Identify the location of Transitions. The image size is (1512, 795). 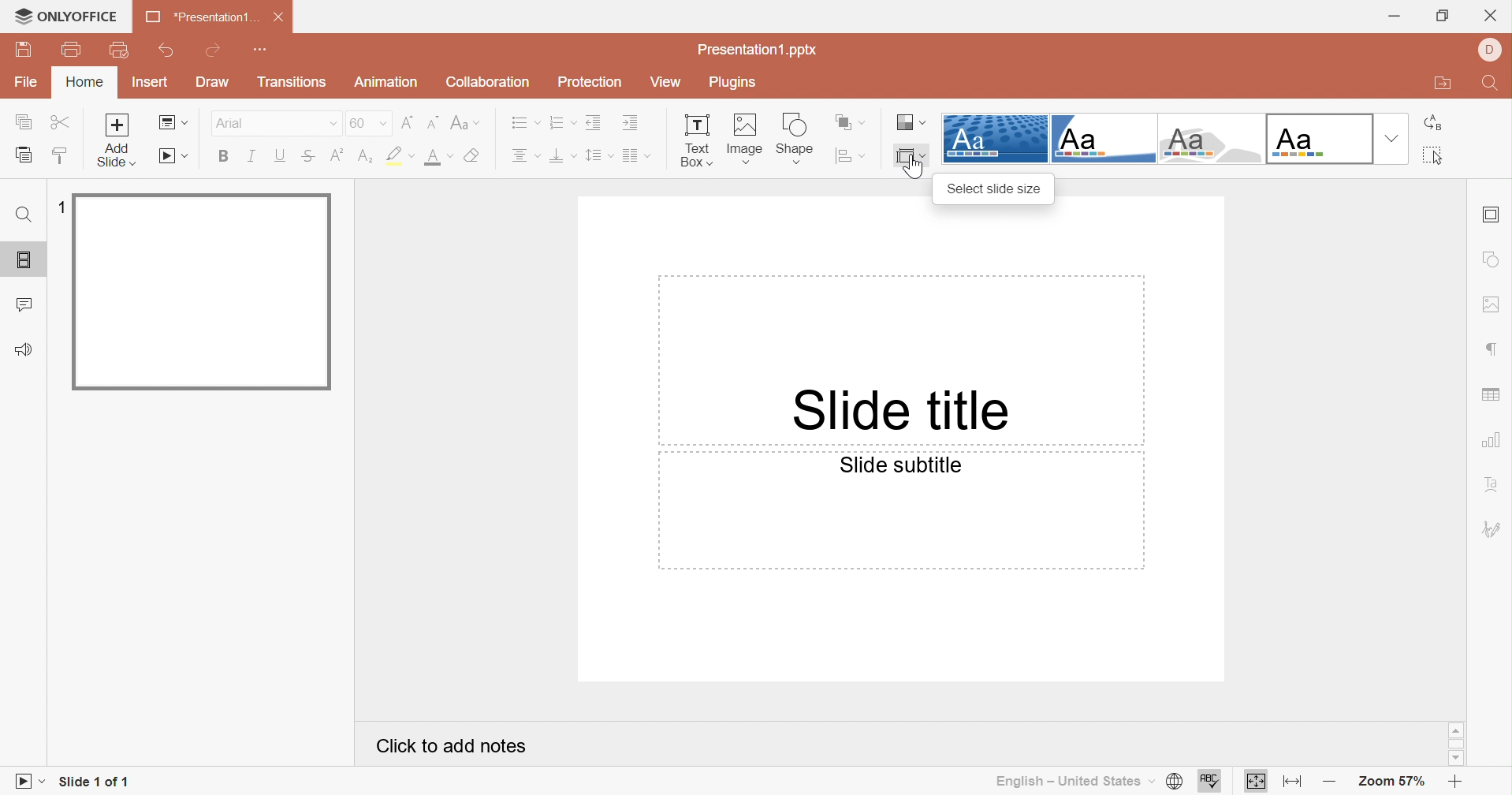
(289, 82).